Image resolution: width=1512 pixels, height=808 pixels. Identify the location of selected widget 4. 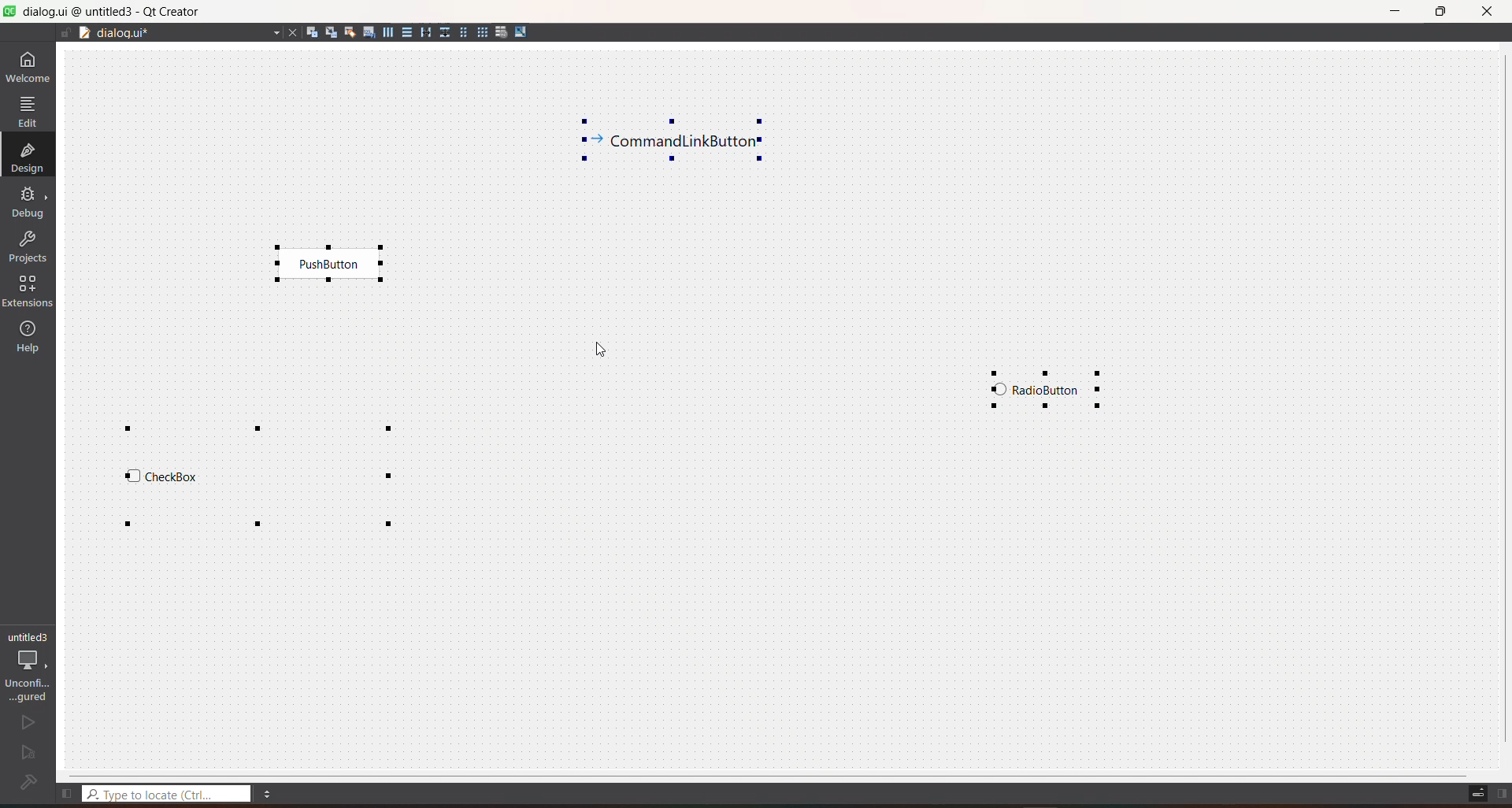
(689, 139).